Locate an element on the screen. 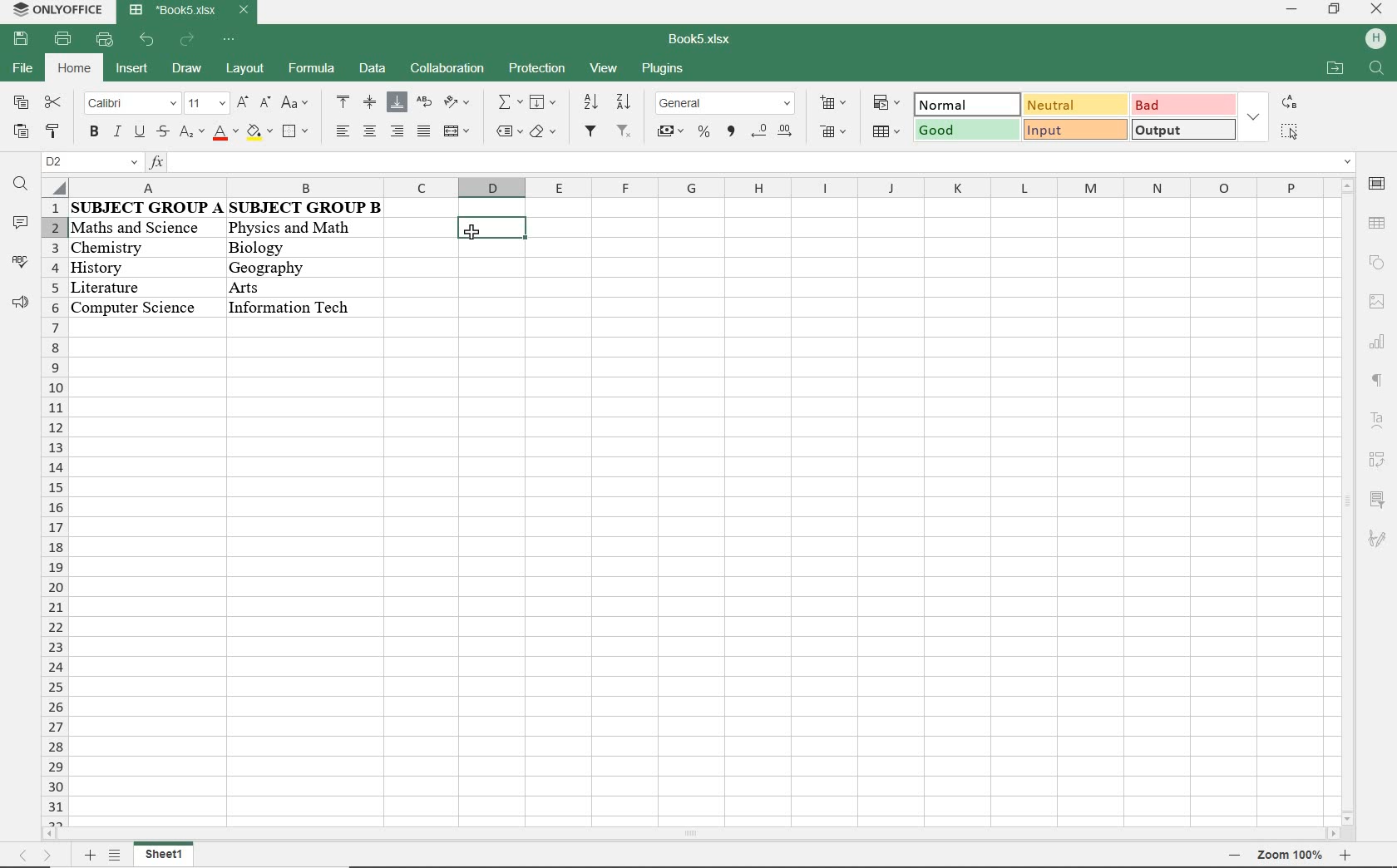 The width and height of the screenshot is (1397, 868). percent style is located at coordinates (705, 133).